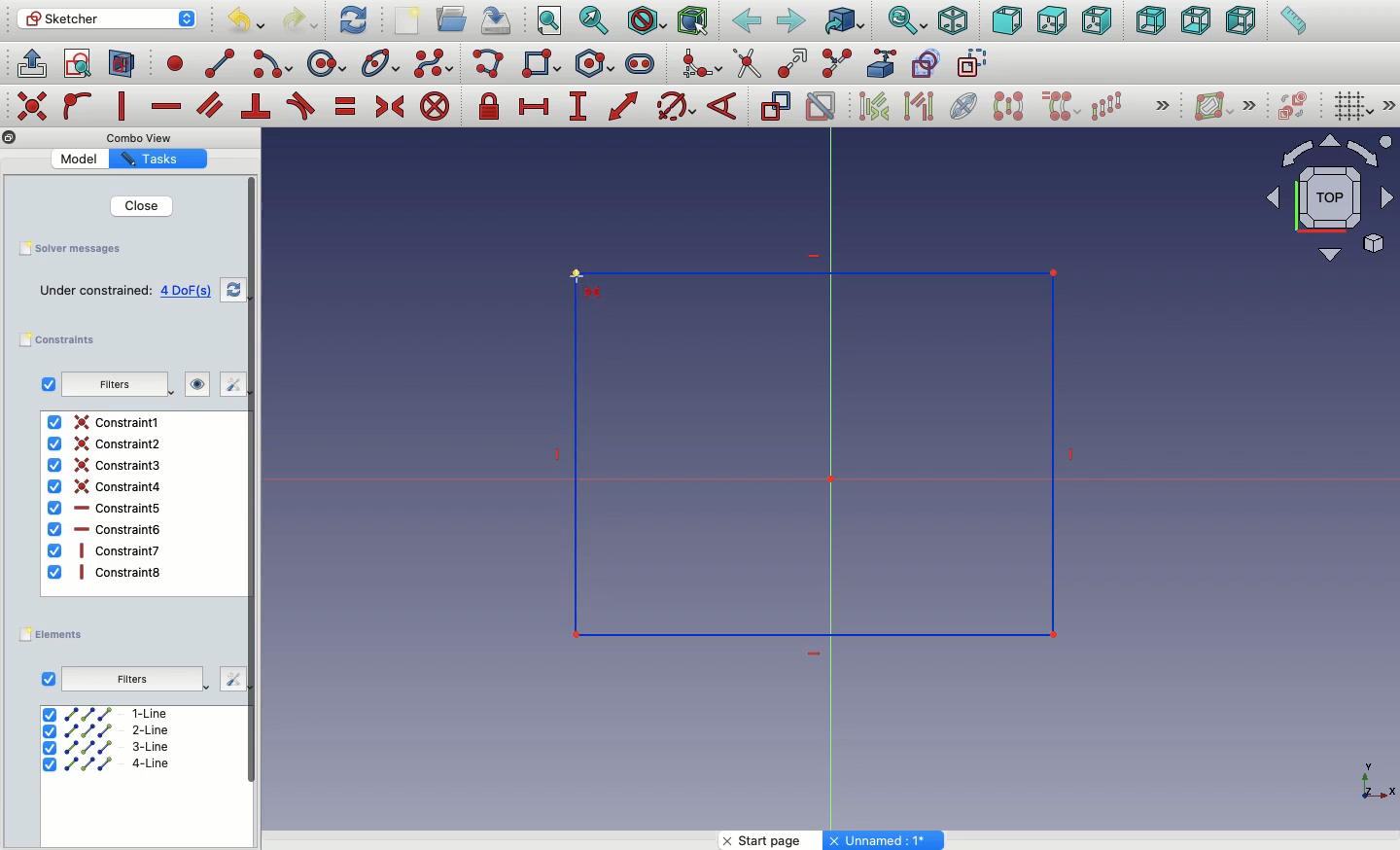 This screenshot has width=1400, height=850. Describe the element at coordinates (917, 105) in the screenshot. I see `Selected associated geometry` at that location.